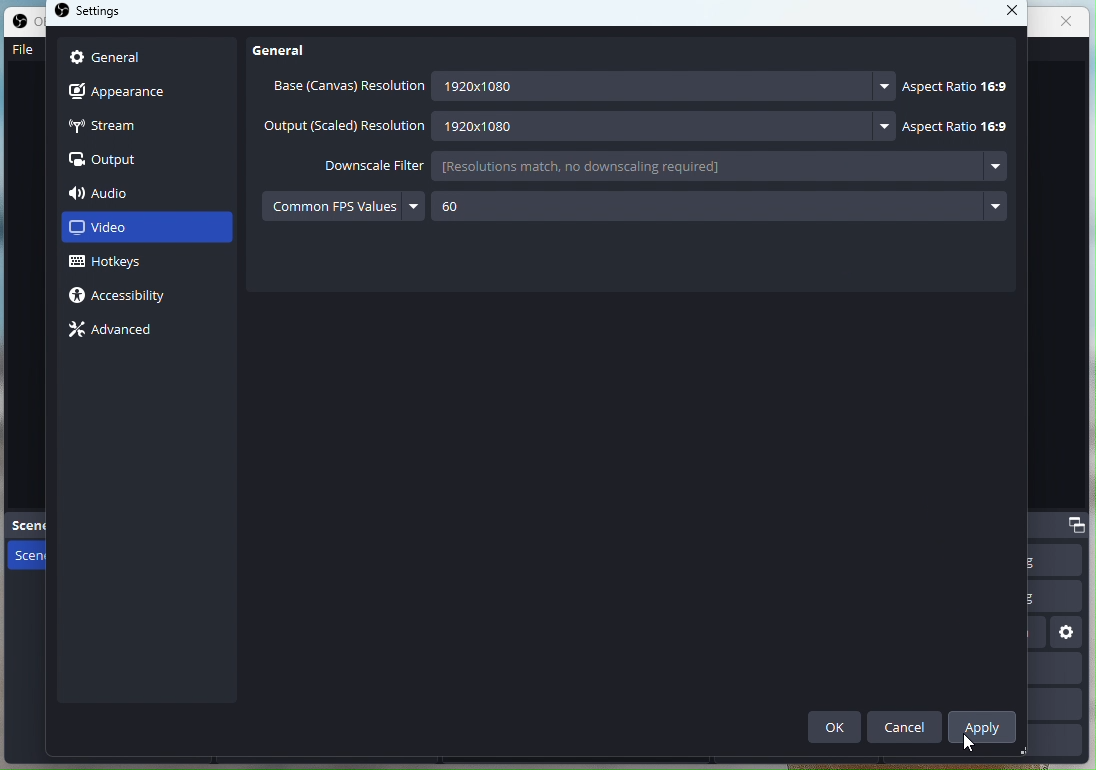 This screenshot has width=1096, height=770. Describe the element at coordinates (23, 24) in the screenshot. I see `OBS studio logo` at that location.